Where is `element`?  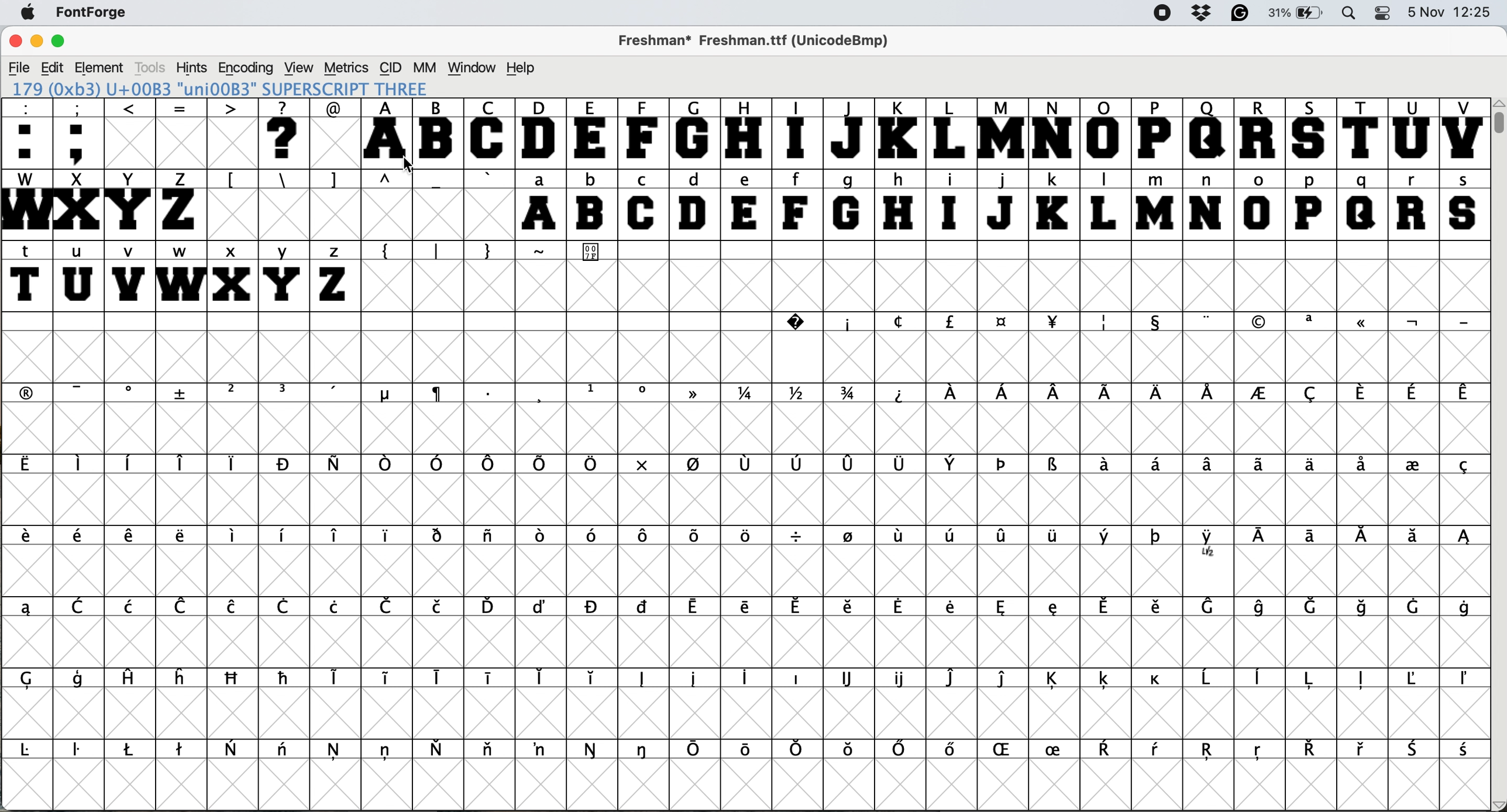
element is located at coordinates (102, 67).